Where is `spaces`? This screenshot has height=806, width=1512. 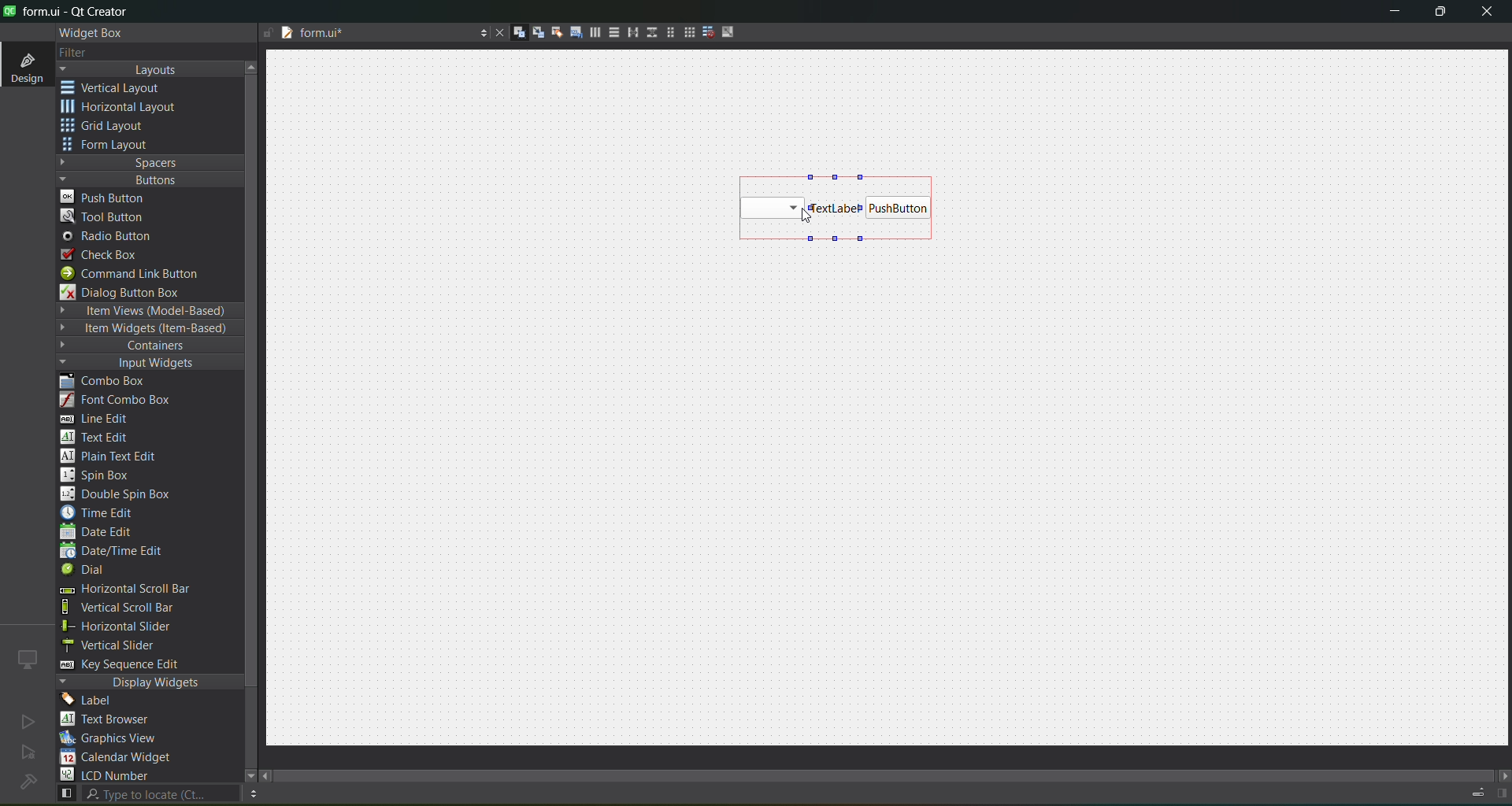
spaces is located at coordinates (150, 162).